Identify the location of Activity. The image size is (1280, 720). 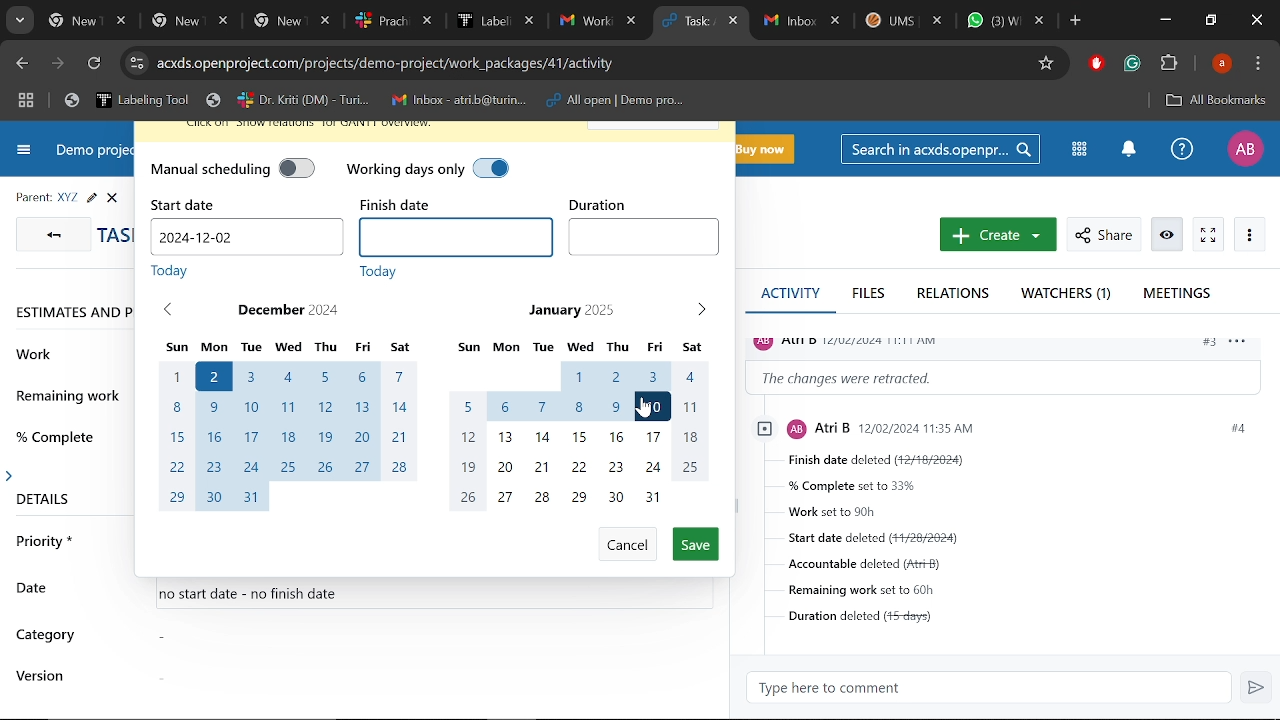
(789, 298).